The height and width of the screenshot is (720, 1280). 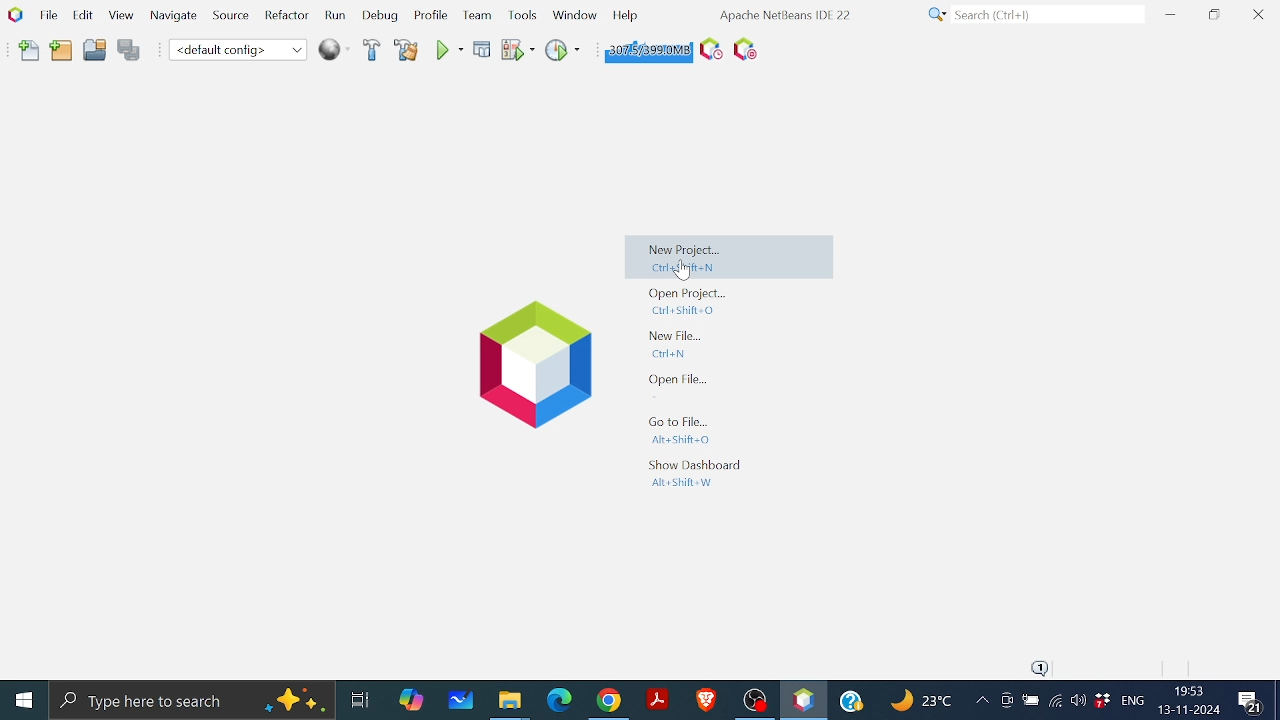 I want to click on Volume, so click(x=1078, y=702).